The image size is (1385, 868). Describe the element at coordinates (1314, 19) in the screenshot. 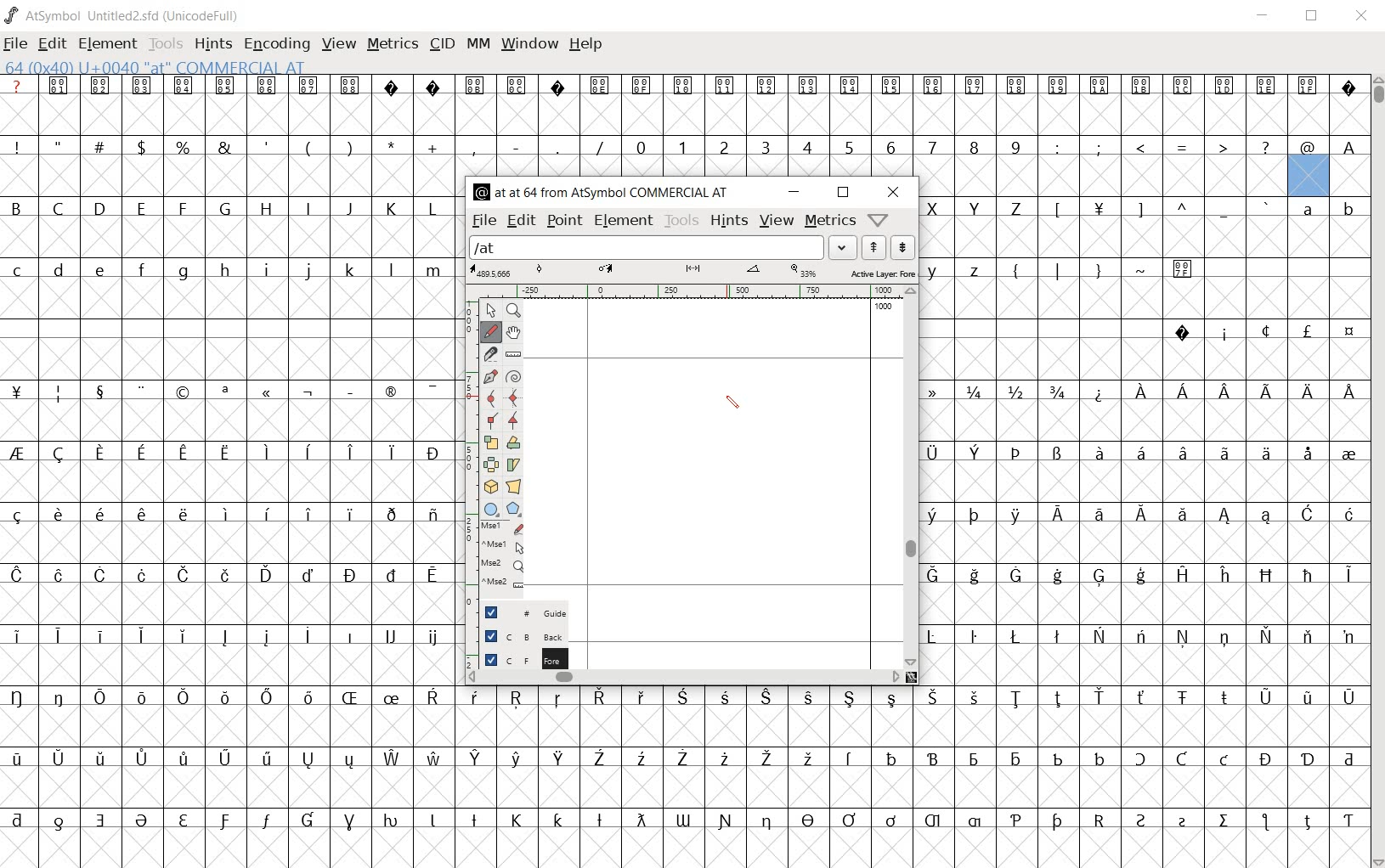

I see `RESTORE DOWN` at that location.